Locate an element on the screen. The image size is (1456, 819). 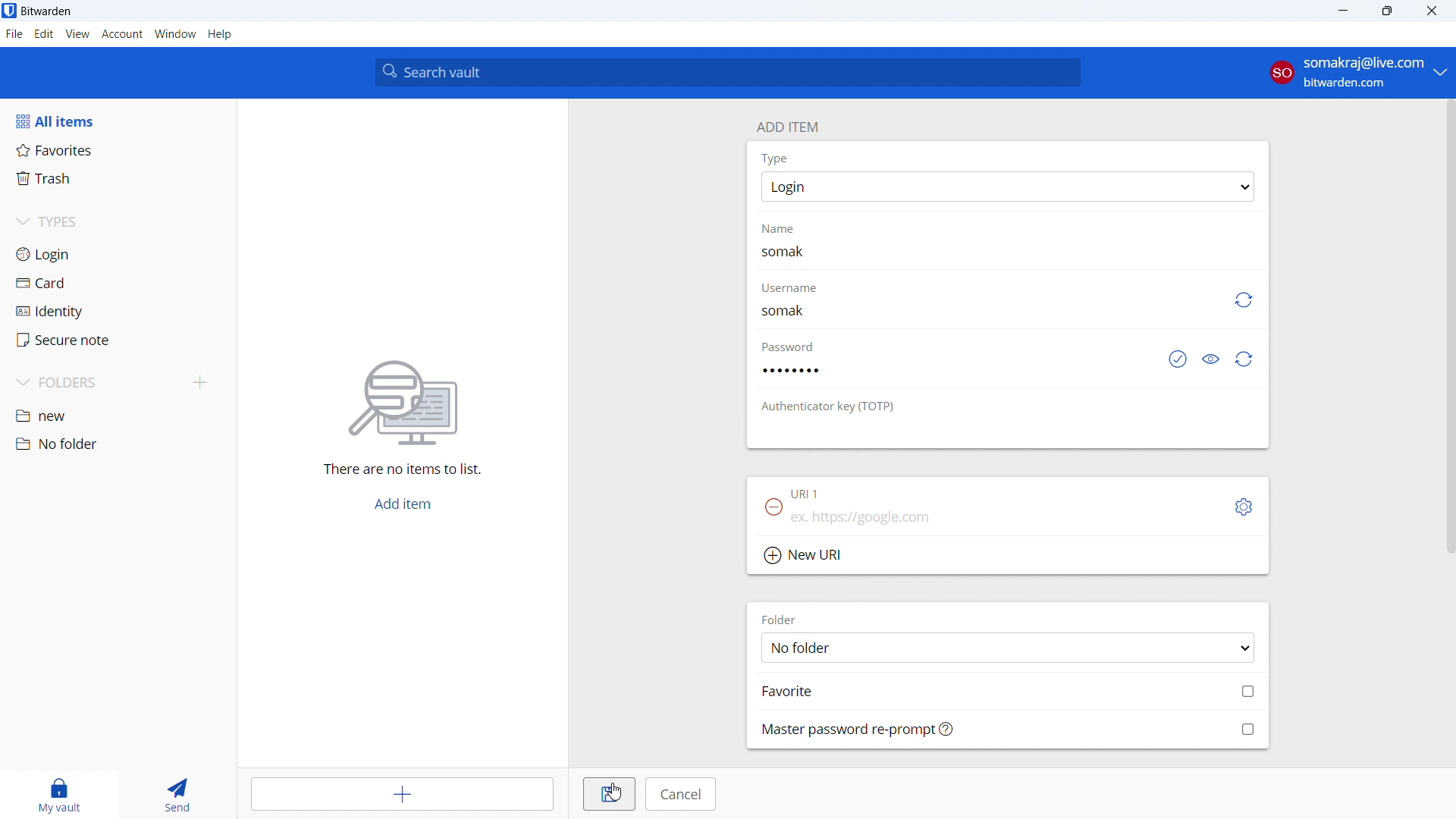
account is located at coordinates (122, 34).